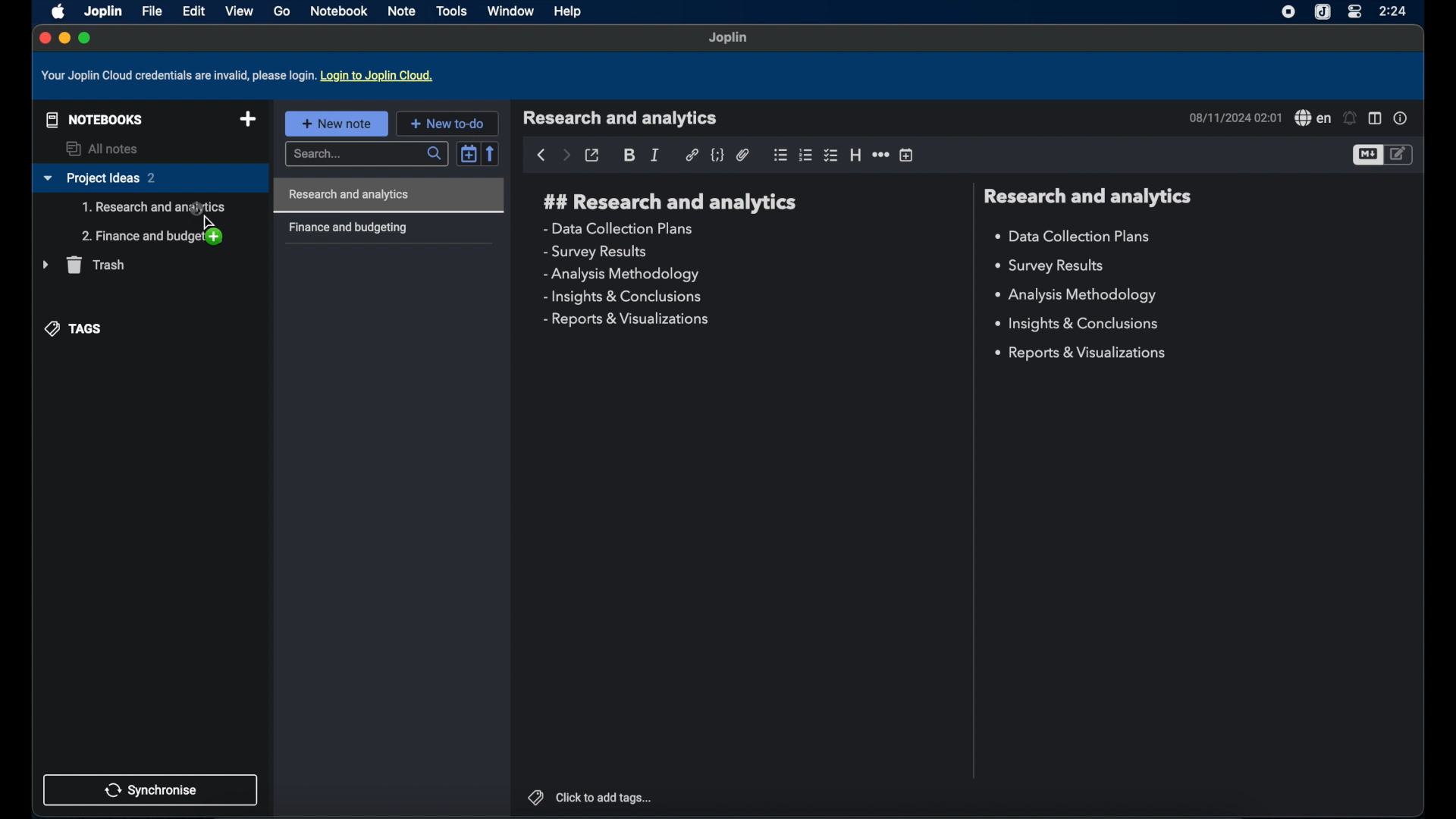 This screenshot has height=819, width=1456. I want to click on checkbox, so click(832, 155).